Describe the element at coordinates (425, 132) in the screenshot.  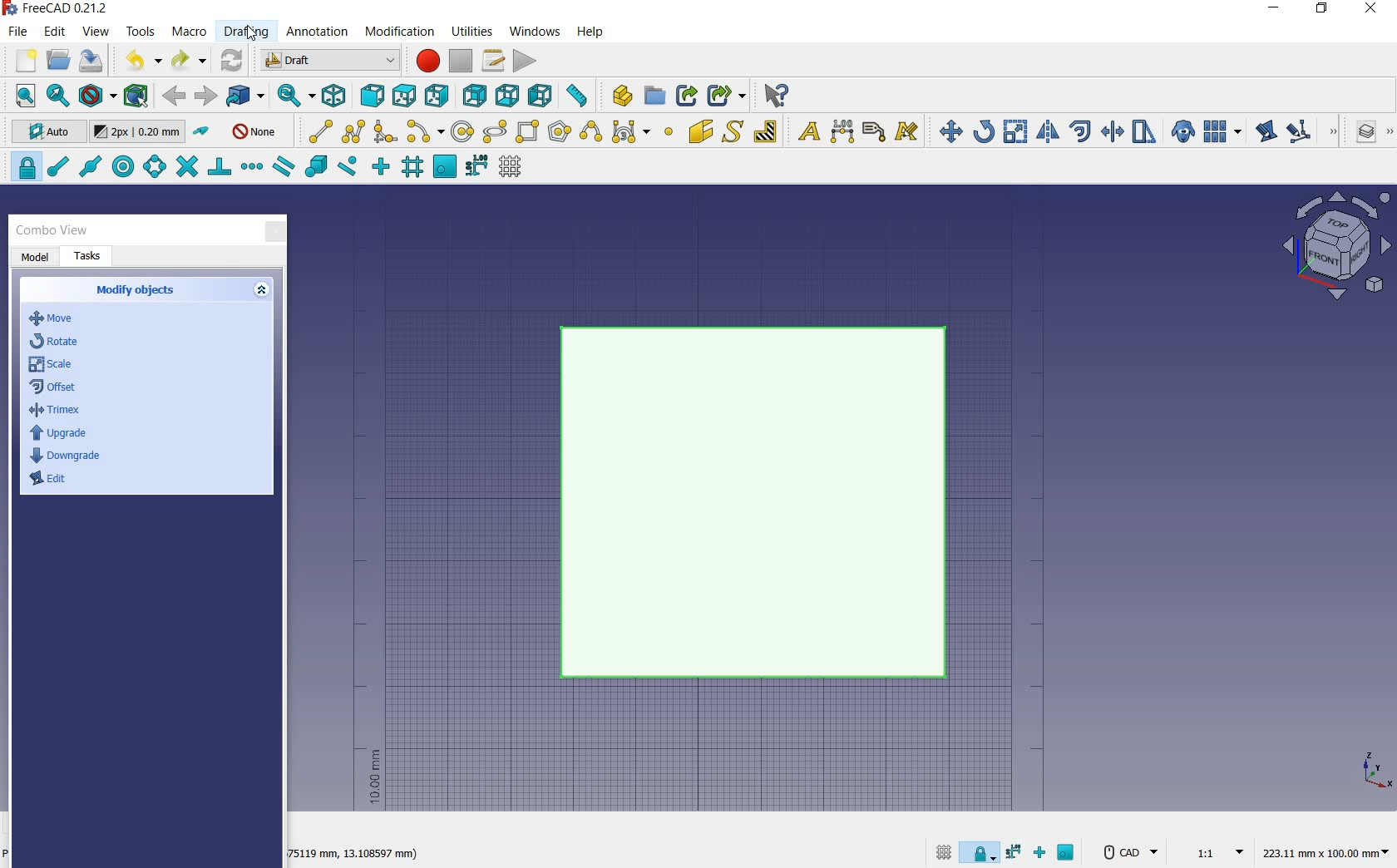
I see `arc tools` at that location.